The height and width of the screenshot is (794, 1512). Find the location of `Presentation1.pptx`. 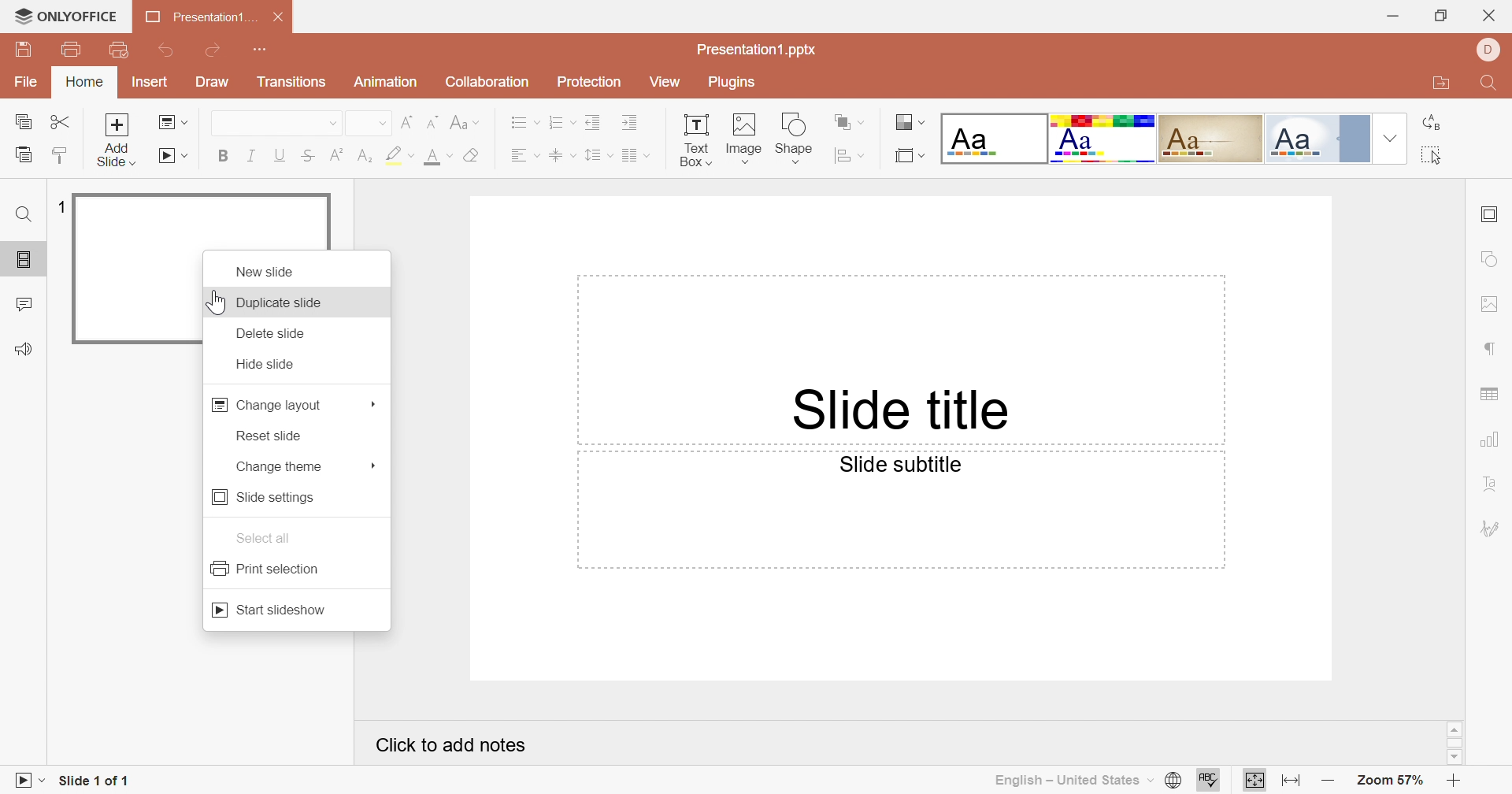

Presentation1.pptx is located at coordinates (758, 50).